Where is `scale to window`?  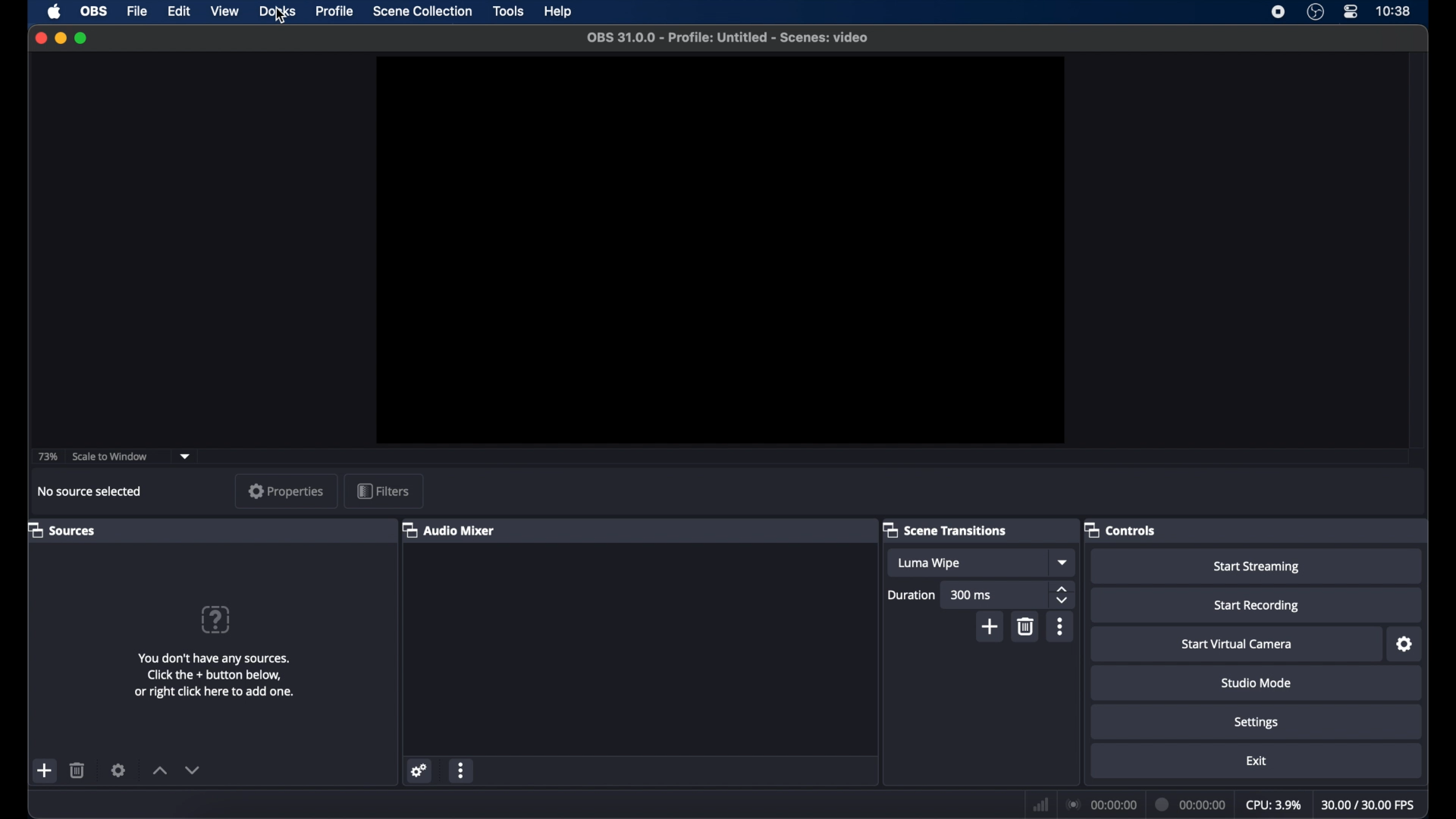 scale to window is located at coordinates (112, 455).